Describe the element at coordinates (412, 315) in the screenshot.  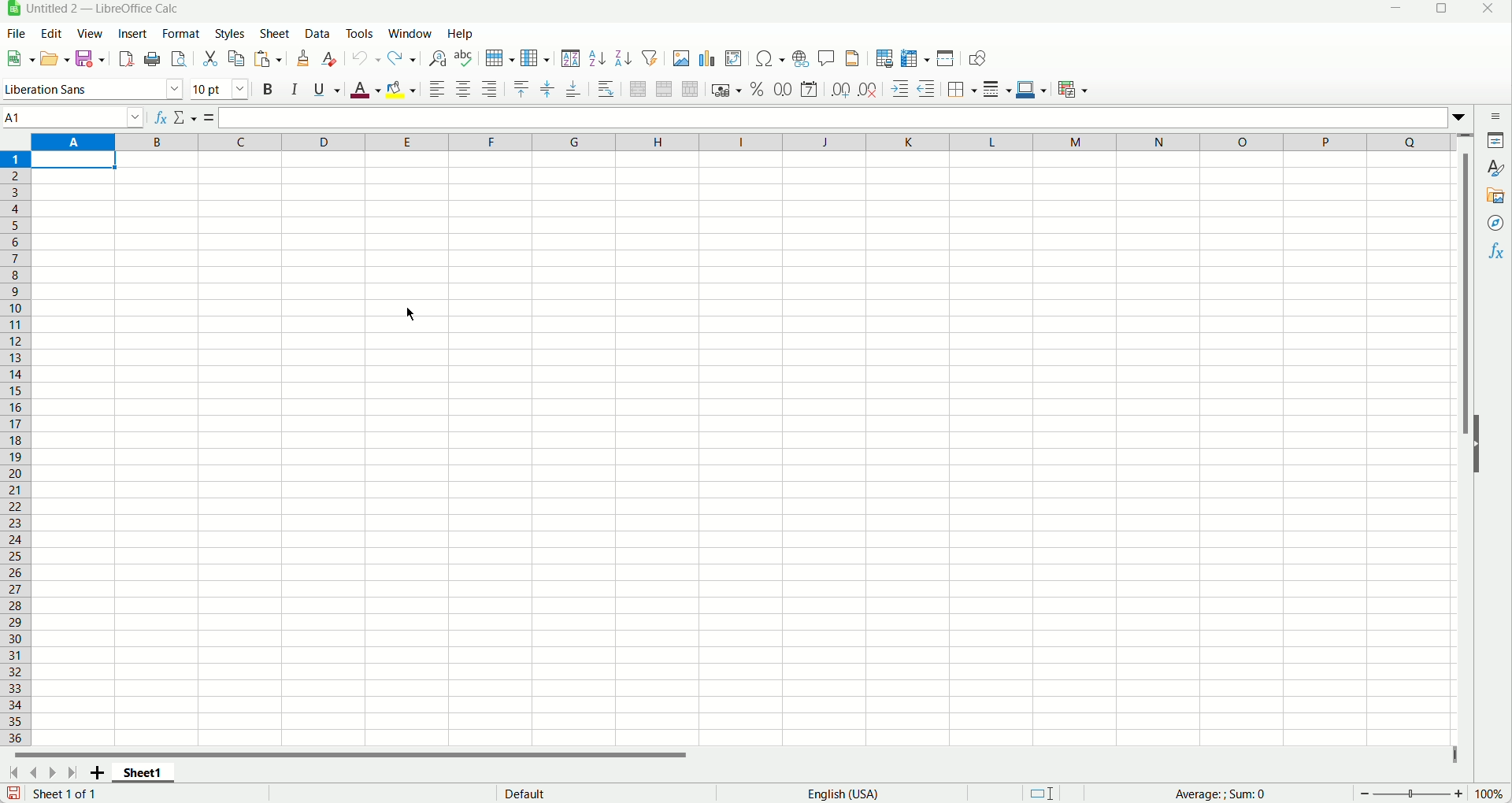
I see `Cursor` at that location.